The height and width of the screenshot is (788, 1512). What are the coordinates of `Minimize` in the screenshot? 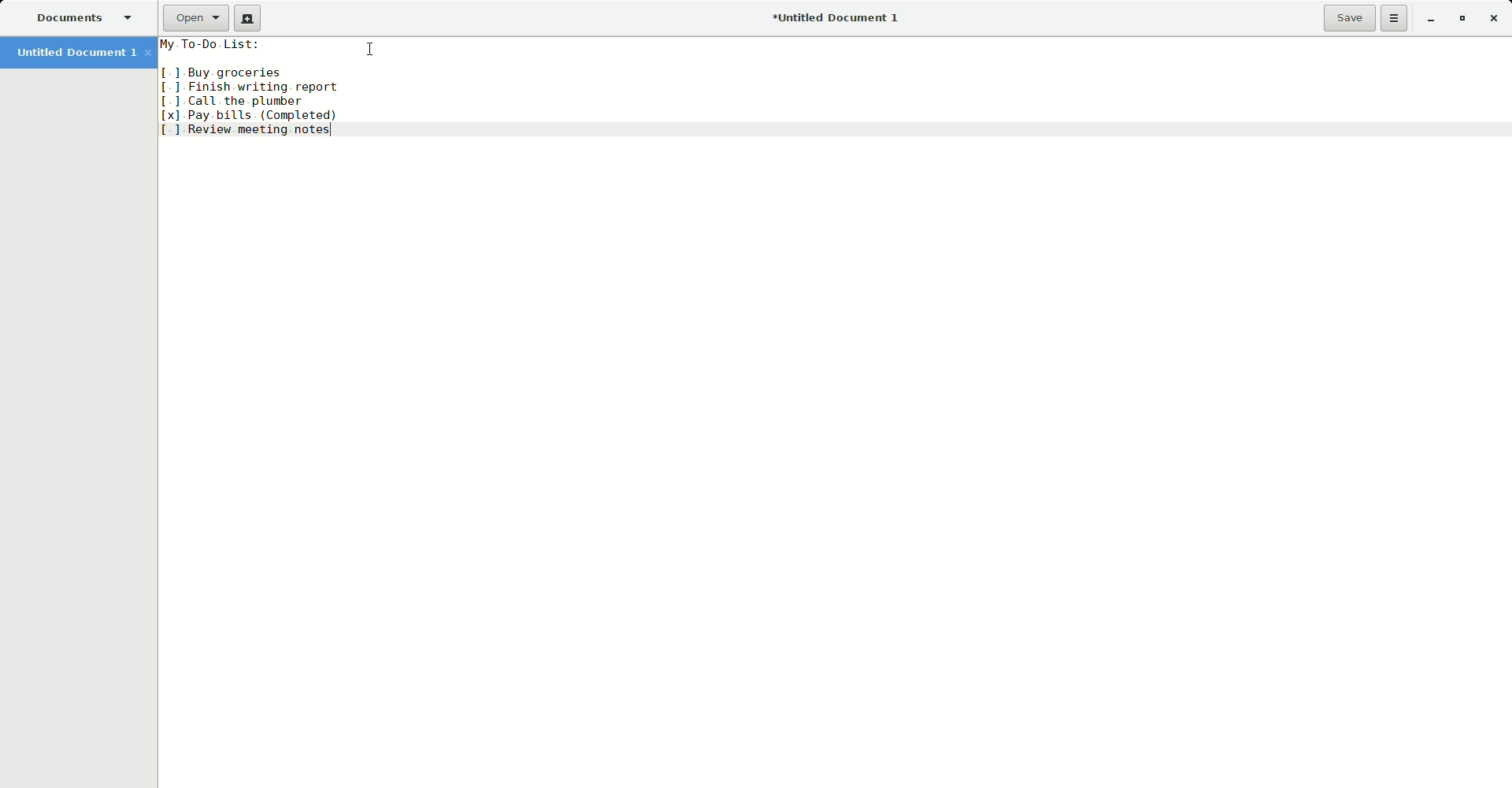 It's located at (1432, 19).